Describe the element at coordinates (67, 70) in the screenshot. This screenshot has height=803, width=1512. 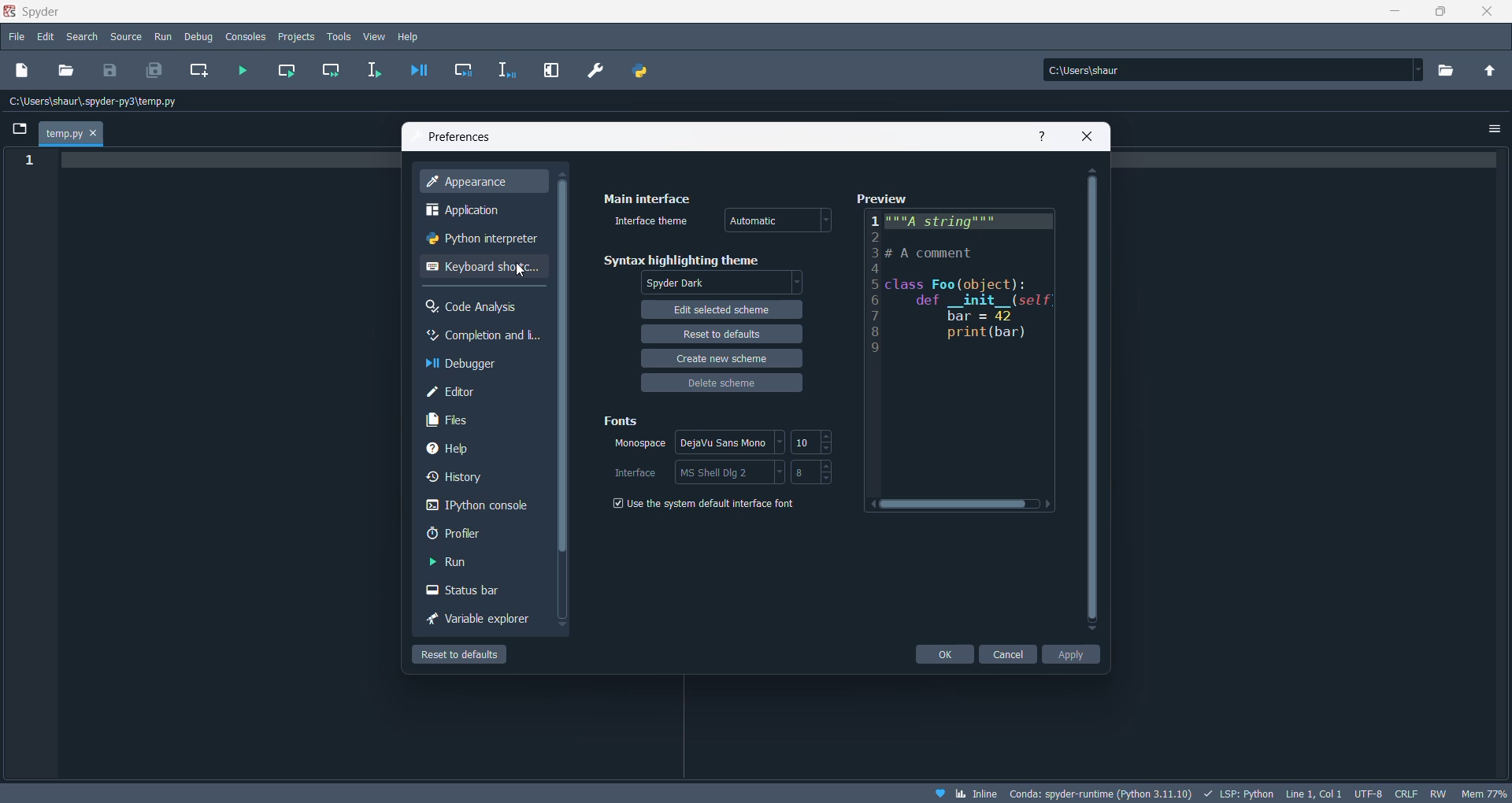
I see `open` at that location.